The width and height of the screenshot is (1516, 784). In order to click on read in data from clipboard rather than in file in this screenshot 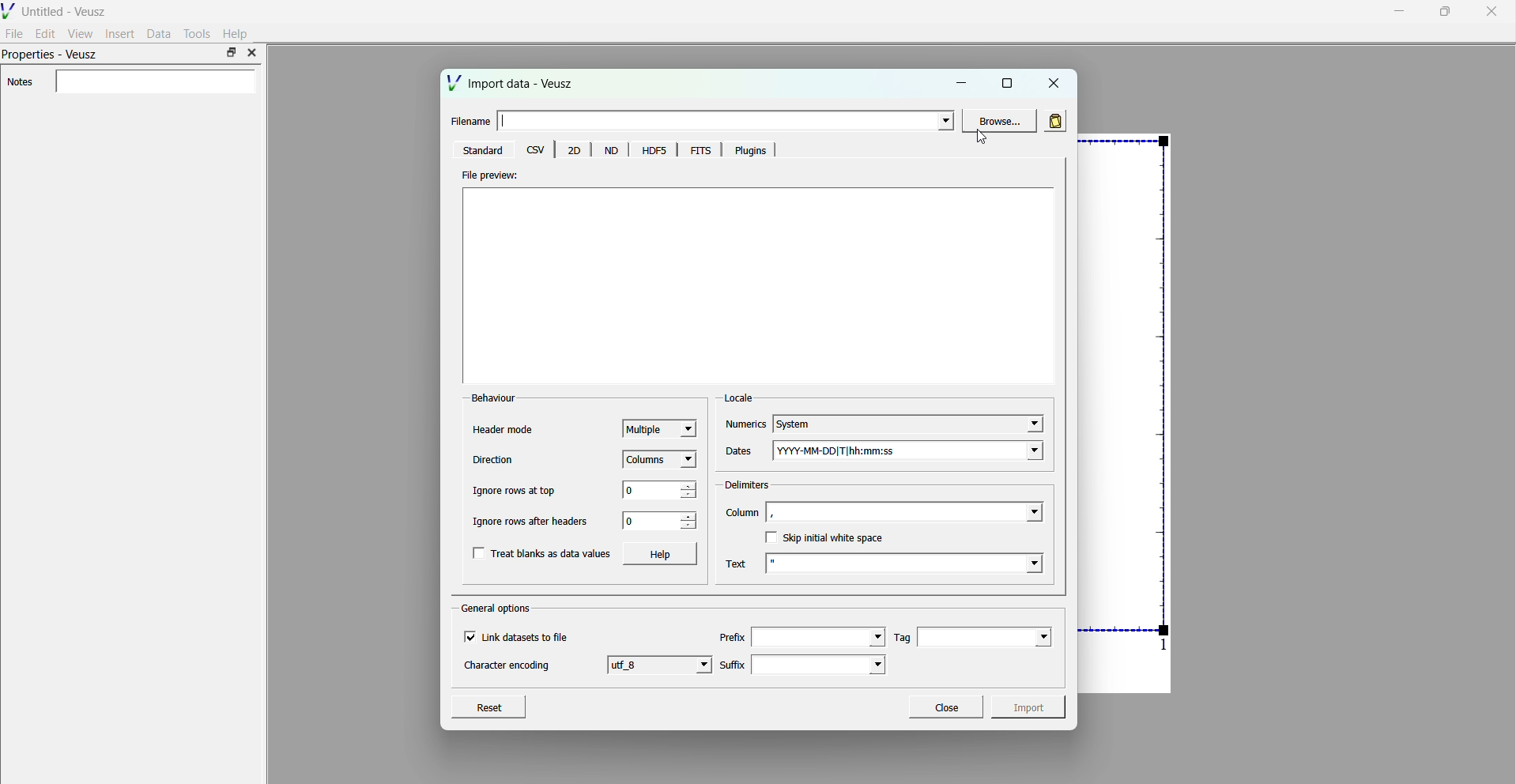, I will do `click(1054, 119)`.